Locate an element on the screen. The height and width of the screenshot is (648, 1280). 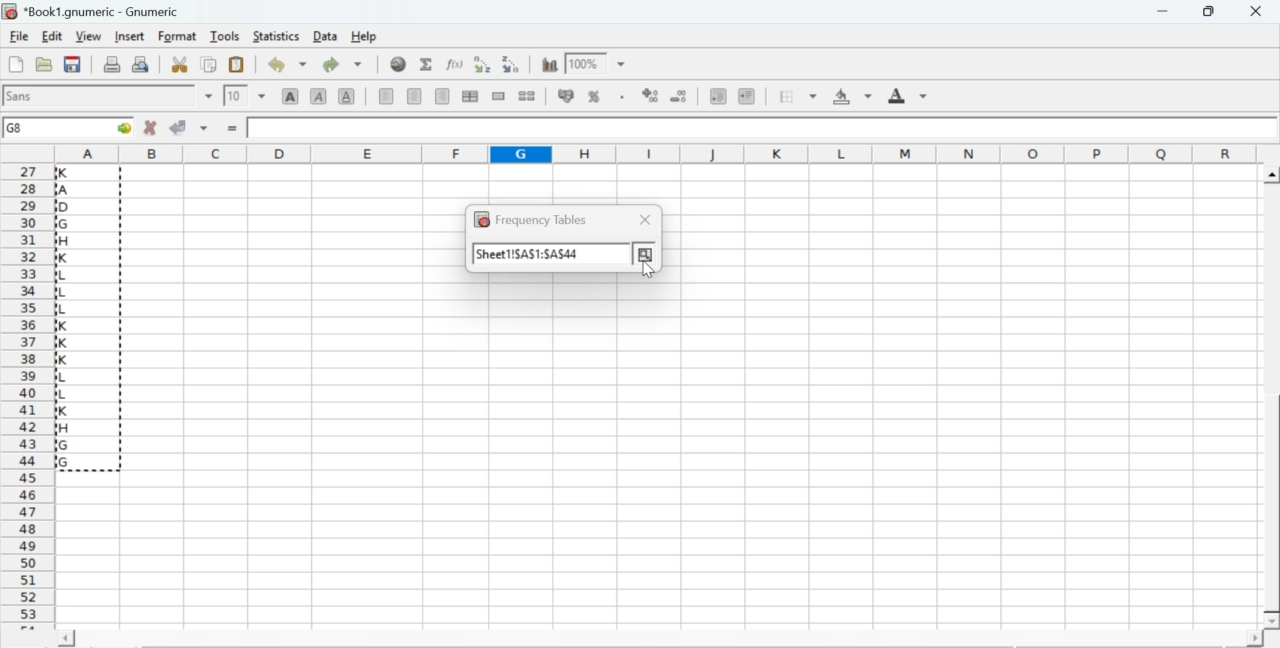
cursor is located at coordinates (70, 172).